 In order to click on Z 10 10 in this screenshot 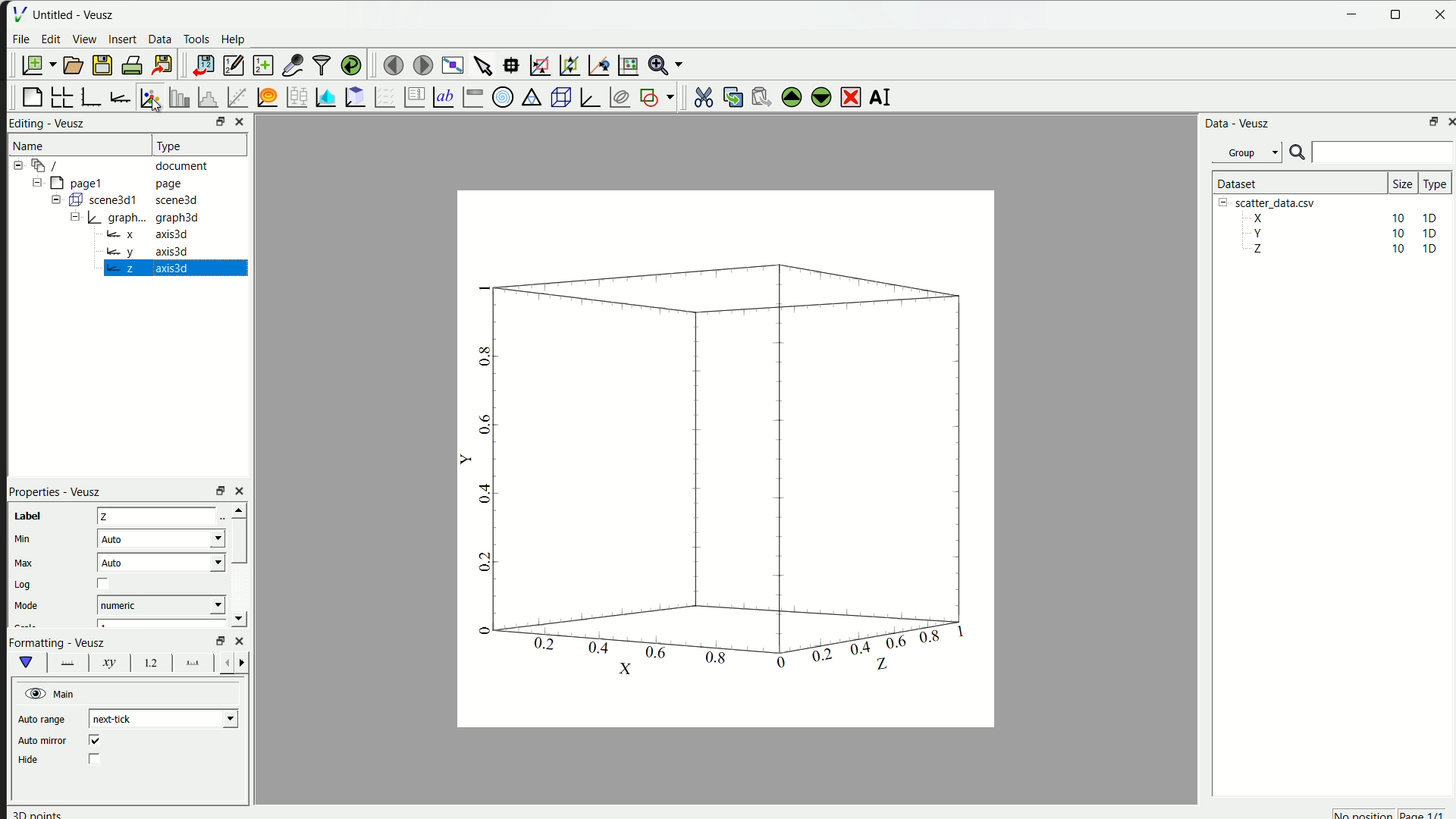, I will do `click(1341, 250)`.